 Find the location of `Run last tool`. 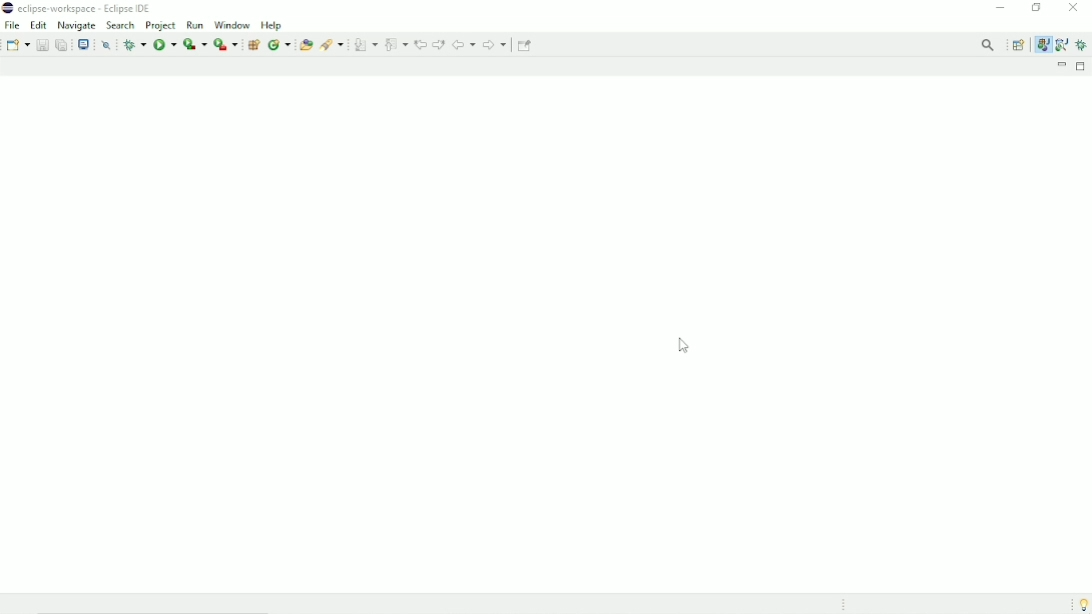

Run last tool is located at coordinates (226, 44).